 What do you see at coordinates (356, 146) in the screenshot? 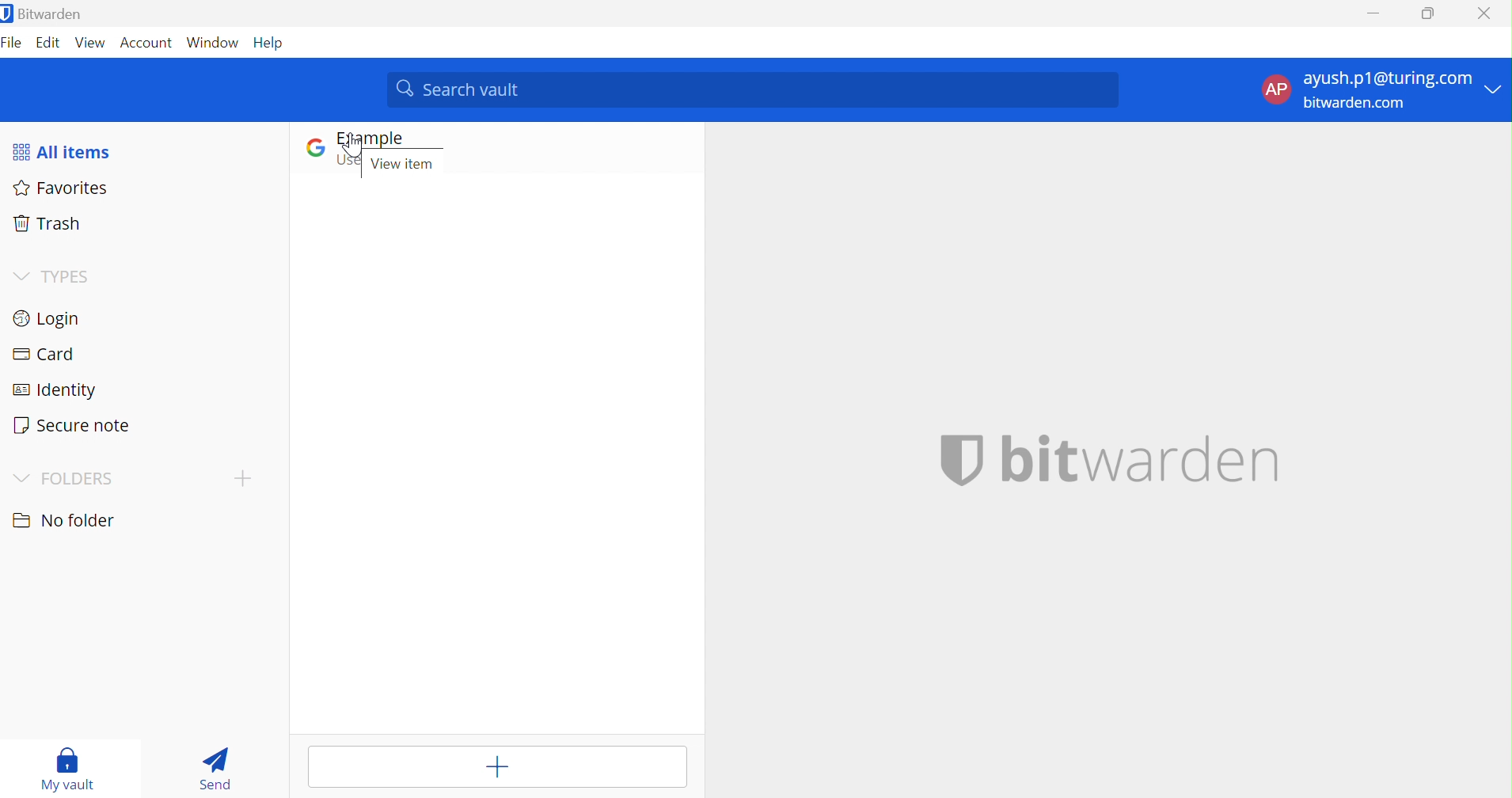
I see `CURSOR` at bounding box center [356, 146].